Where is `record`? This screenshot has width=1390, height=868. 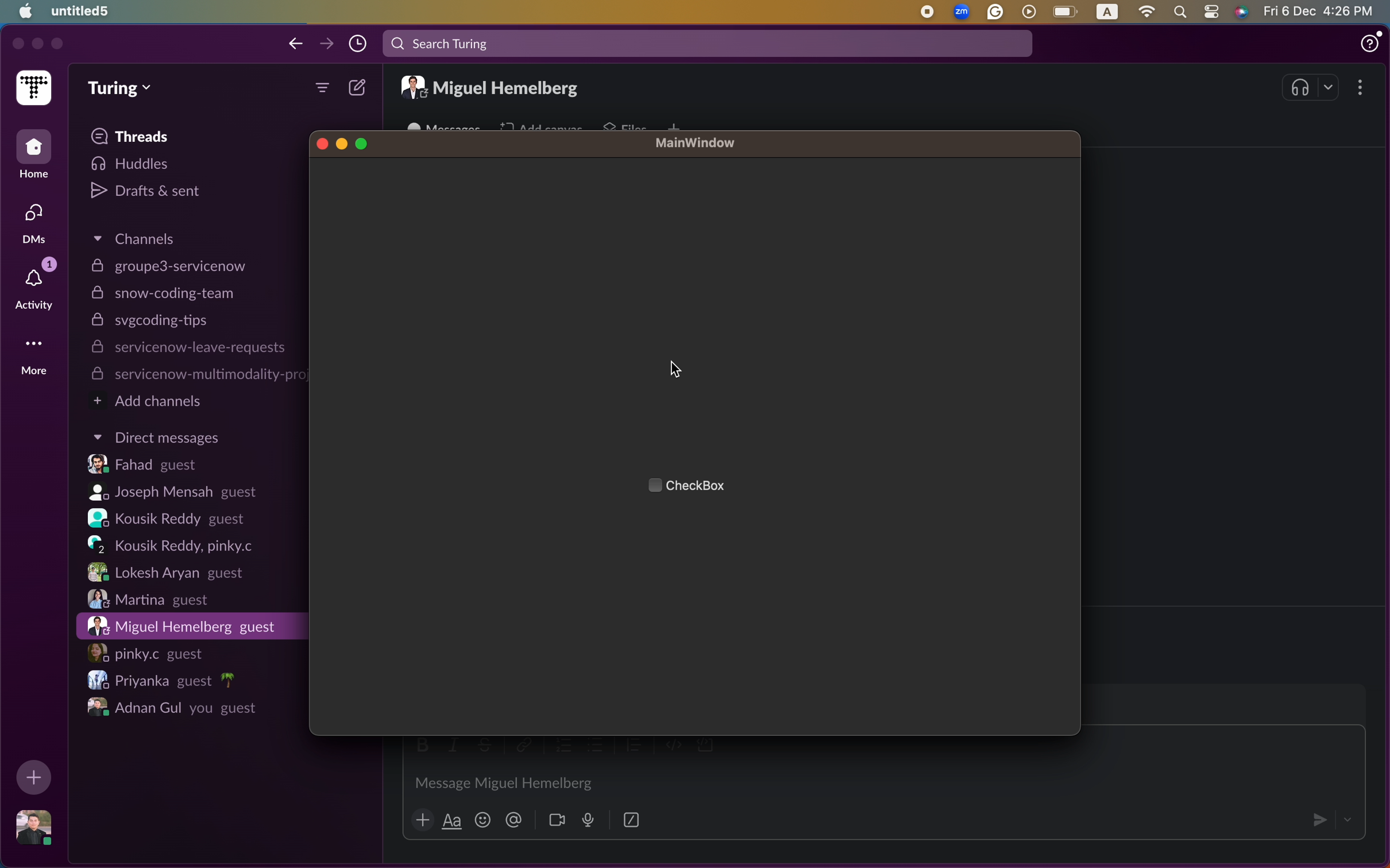
record is located at coordinates (929, 11).